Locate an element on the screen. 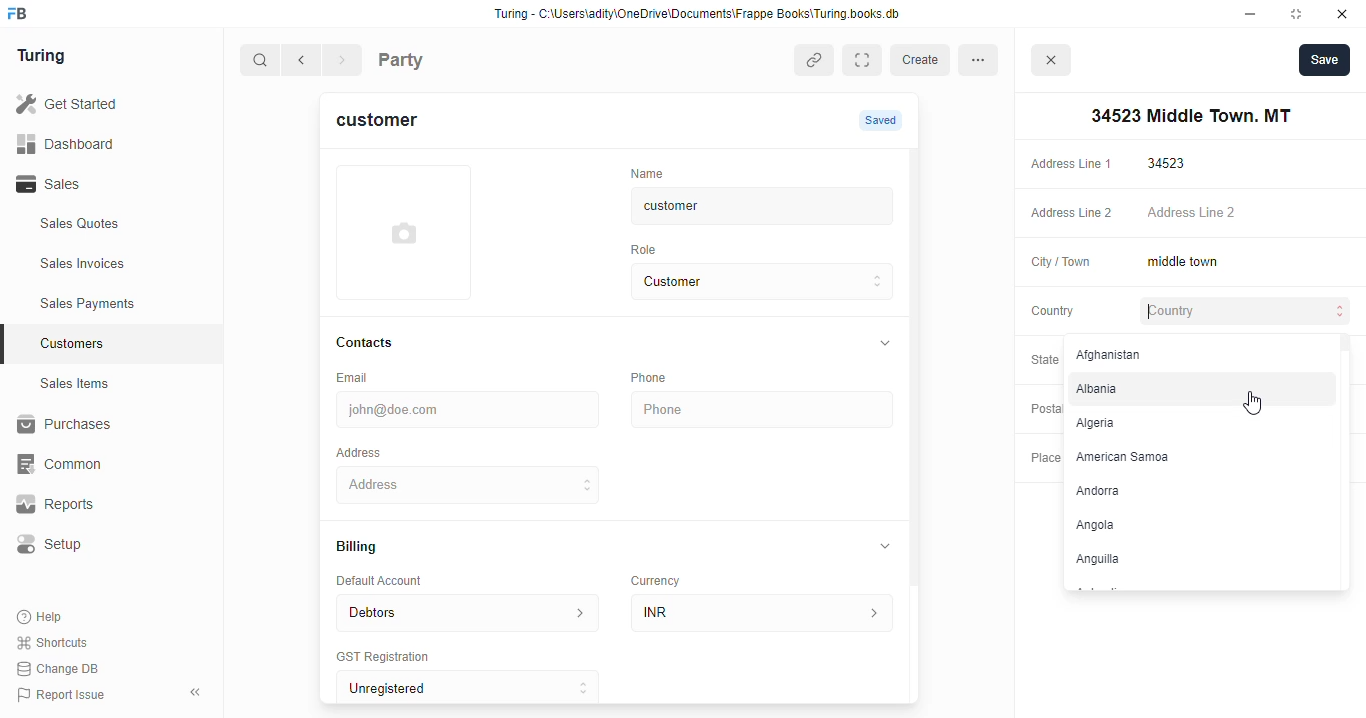 The height and width of the screenshot is (718, 1366). Saved is located at coordinates (883, 120).